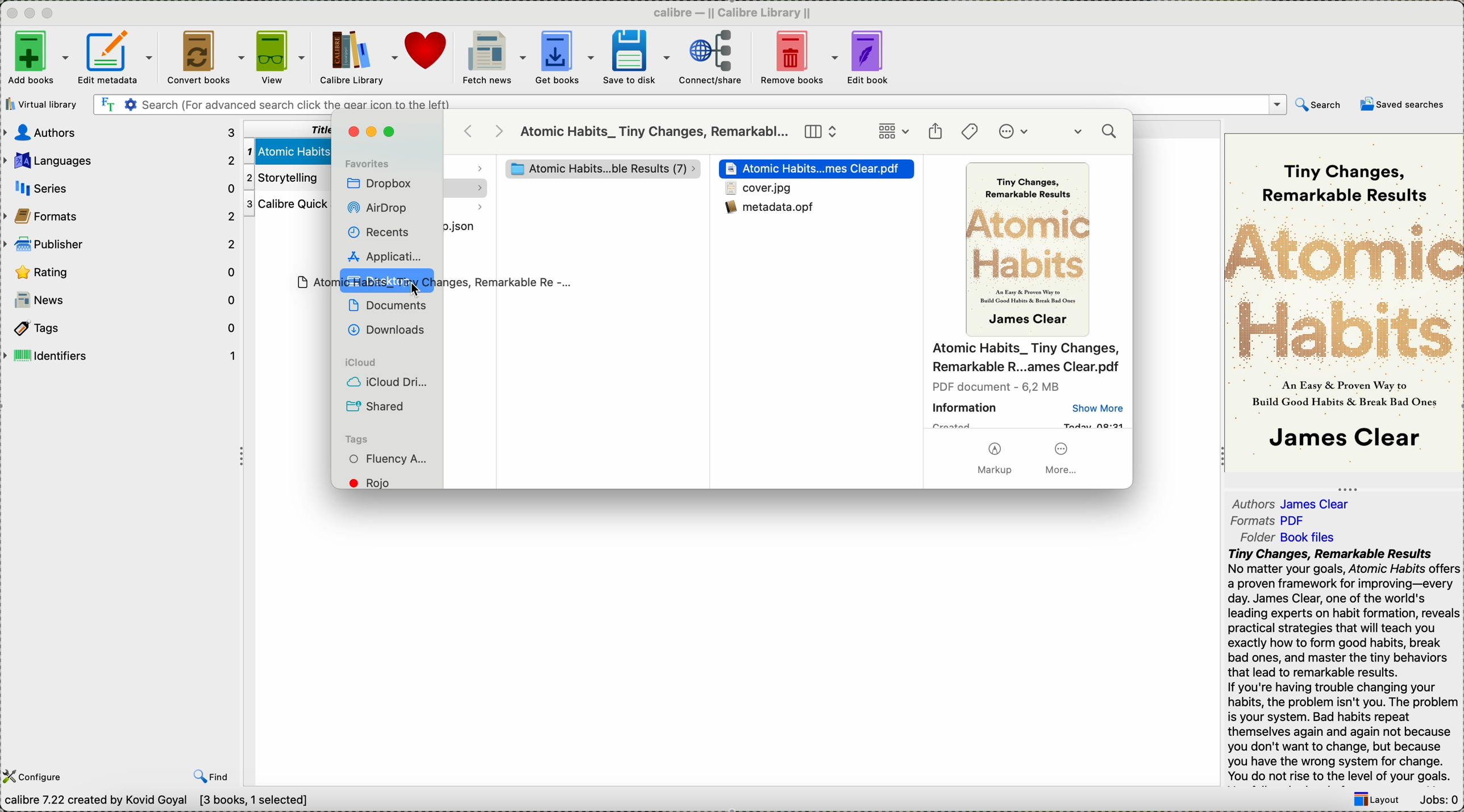 The height and width of the screenshot is (812, 1464). I want to click on formats, so click(121, 215).